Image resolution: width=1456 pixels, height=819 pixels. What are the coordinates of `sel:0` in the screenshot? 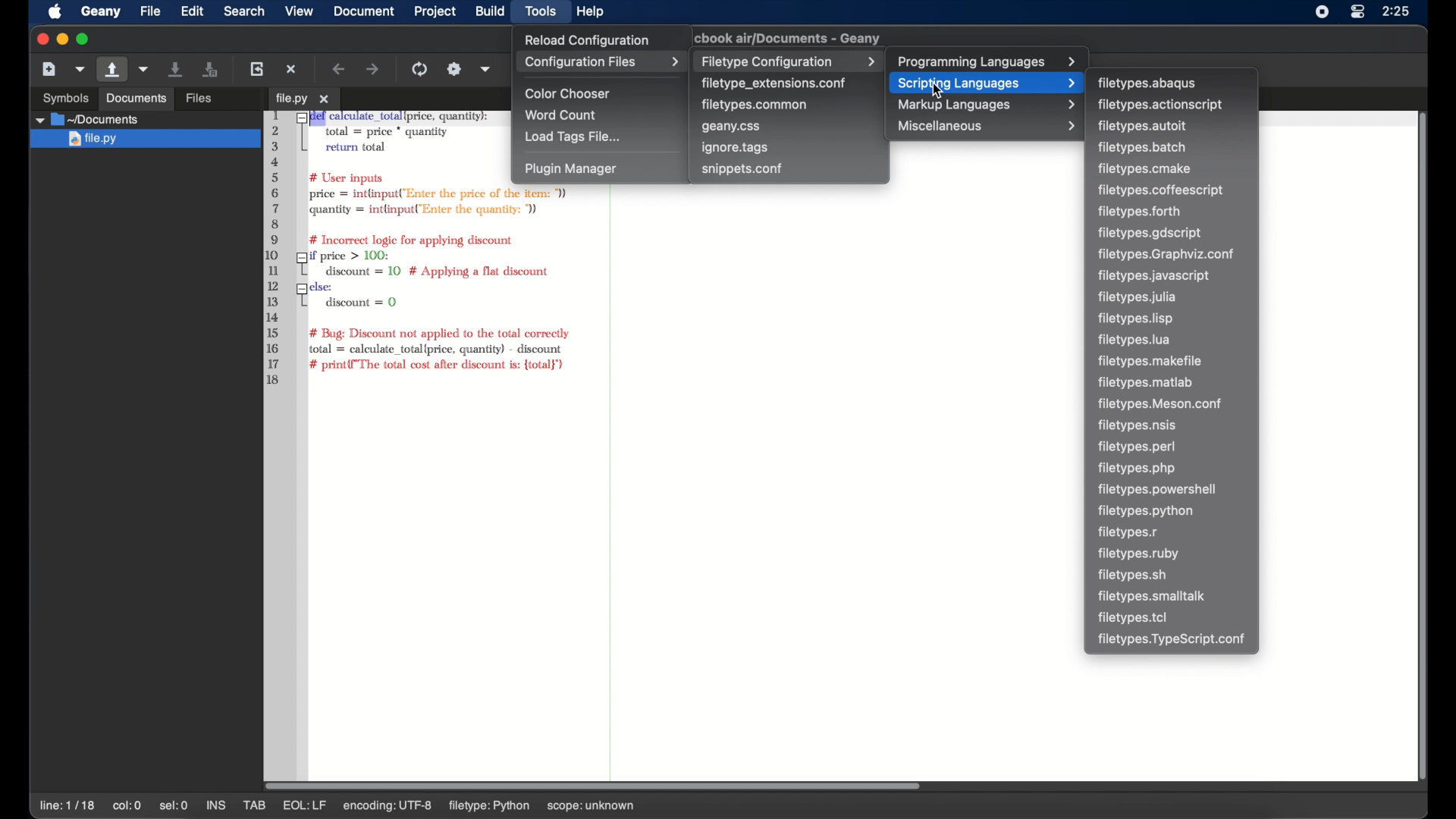 It's located at (174, 805).